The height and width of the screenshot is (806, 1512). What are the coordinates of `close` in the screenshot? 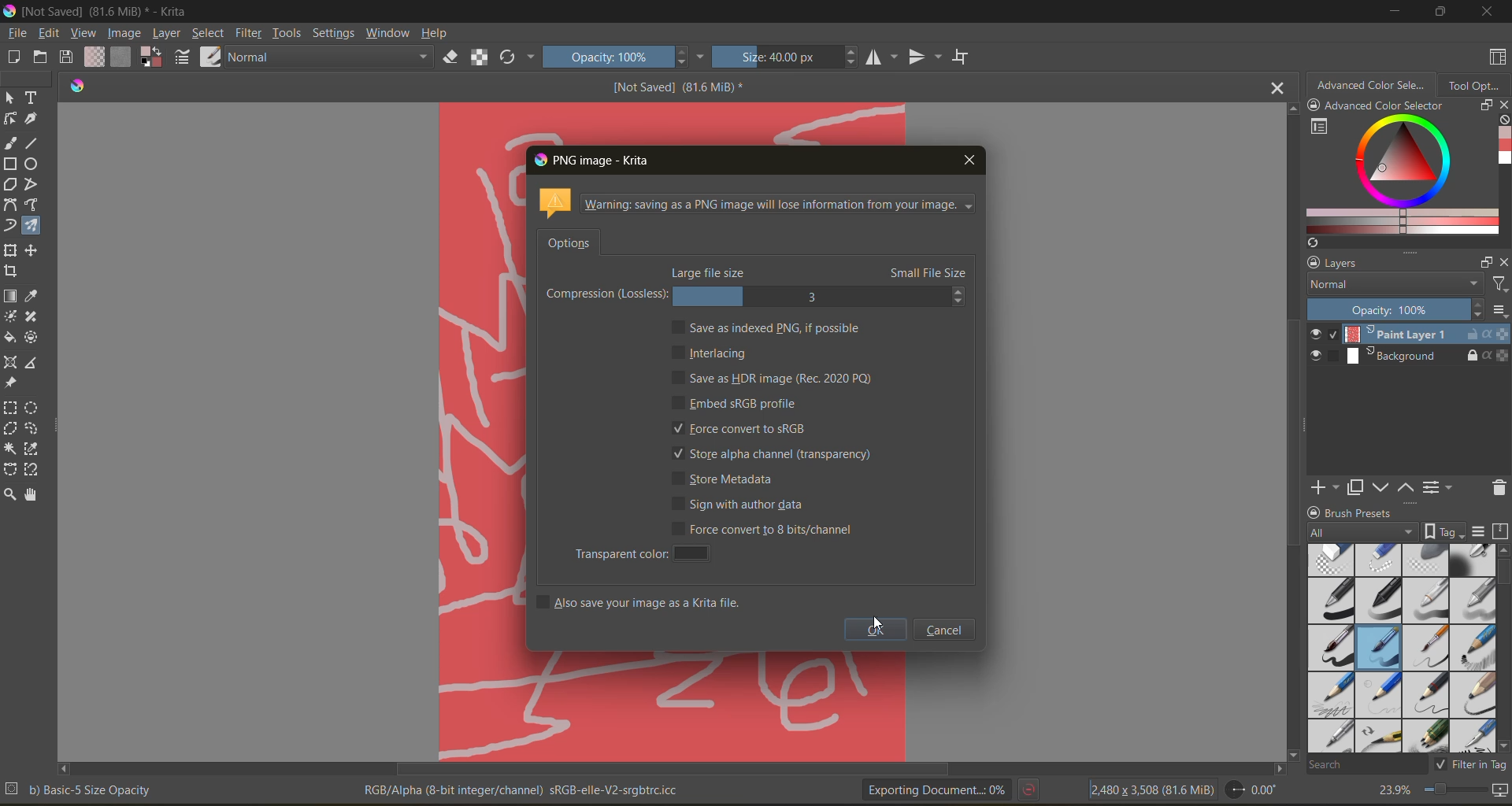 It's located at (1488, 11).